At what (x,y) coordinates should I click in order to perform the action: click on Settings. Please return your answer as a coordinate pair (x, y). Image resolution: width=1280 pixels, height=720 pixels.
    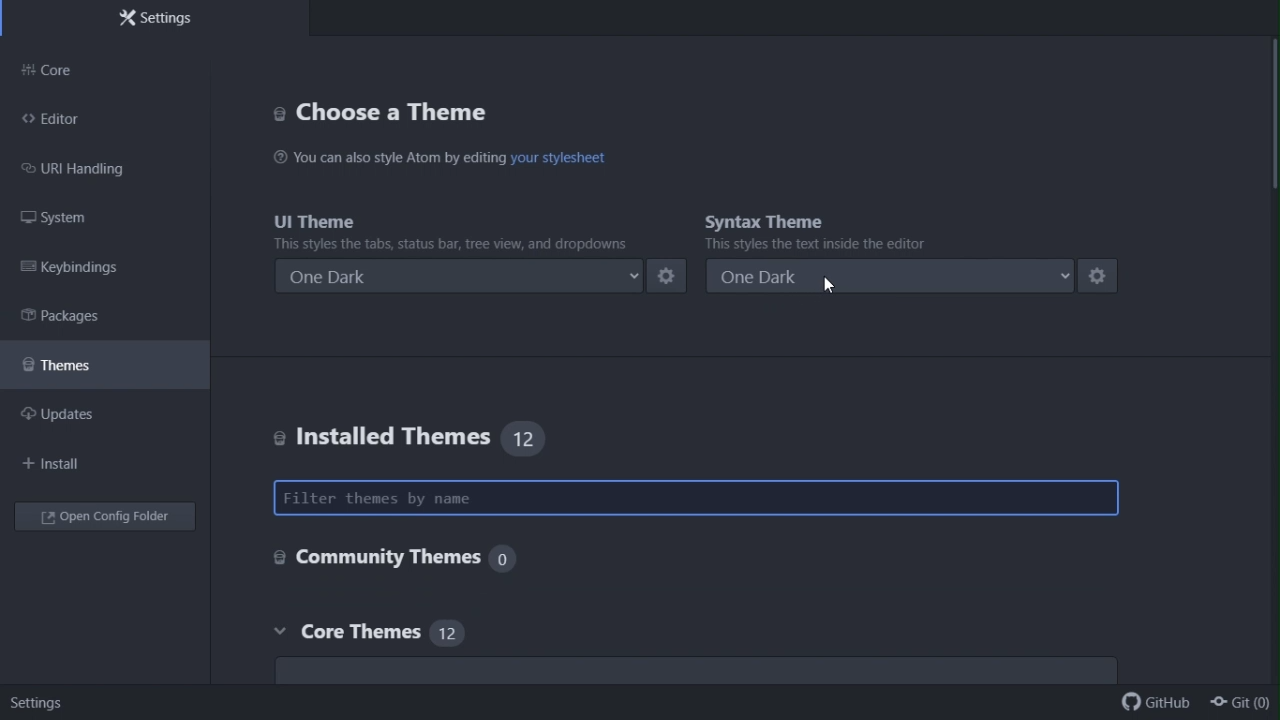
    Looking at the image, I should click on (157, 19).